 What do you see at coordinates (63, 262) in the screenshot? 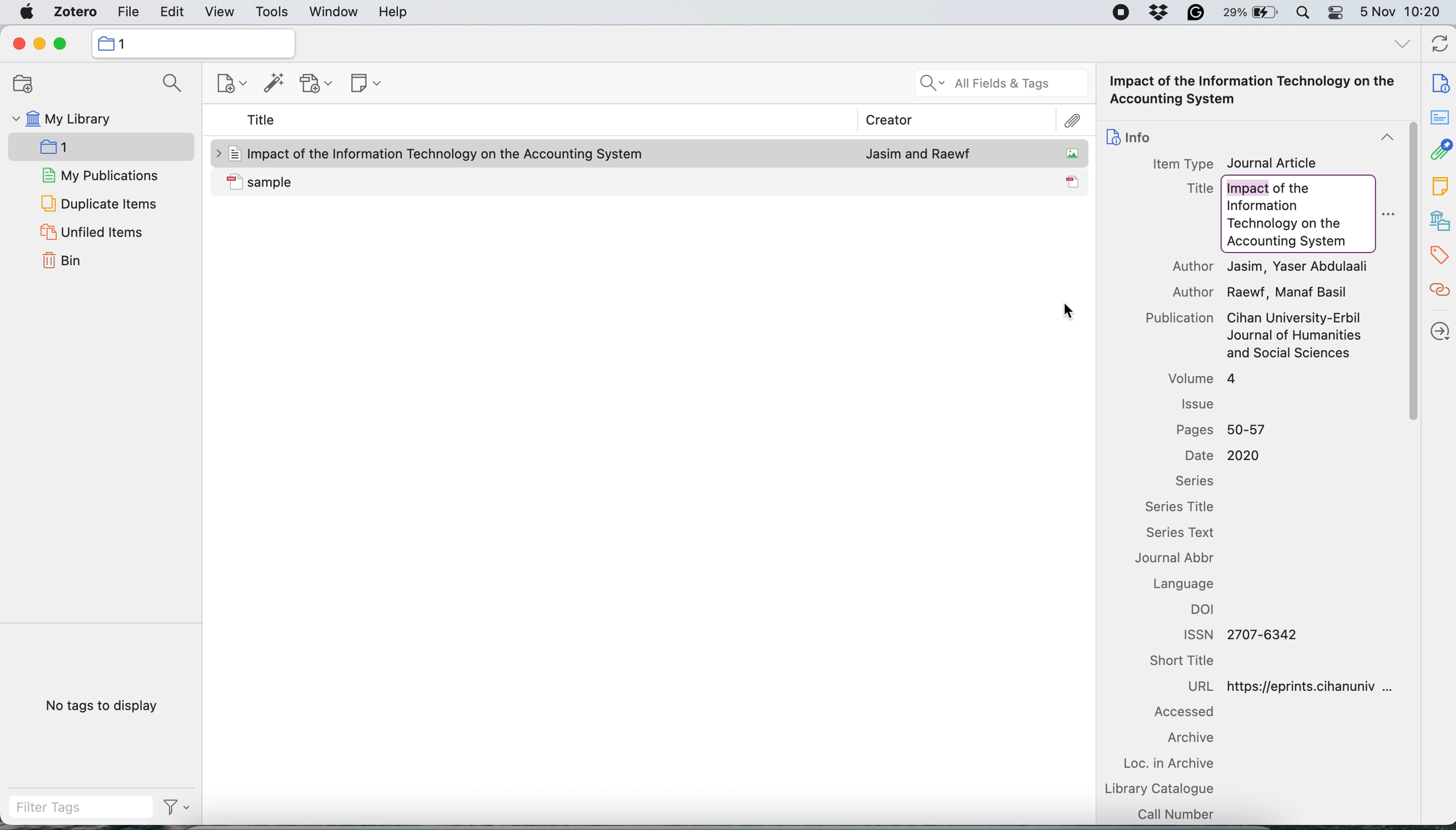
I see `bin` at bounding box center [63, 262].